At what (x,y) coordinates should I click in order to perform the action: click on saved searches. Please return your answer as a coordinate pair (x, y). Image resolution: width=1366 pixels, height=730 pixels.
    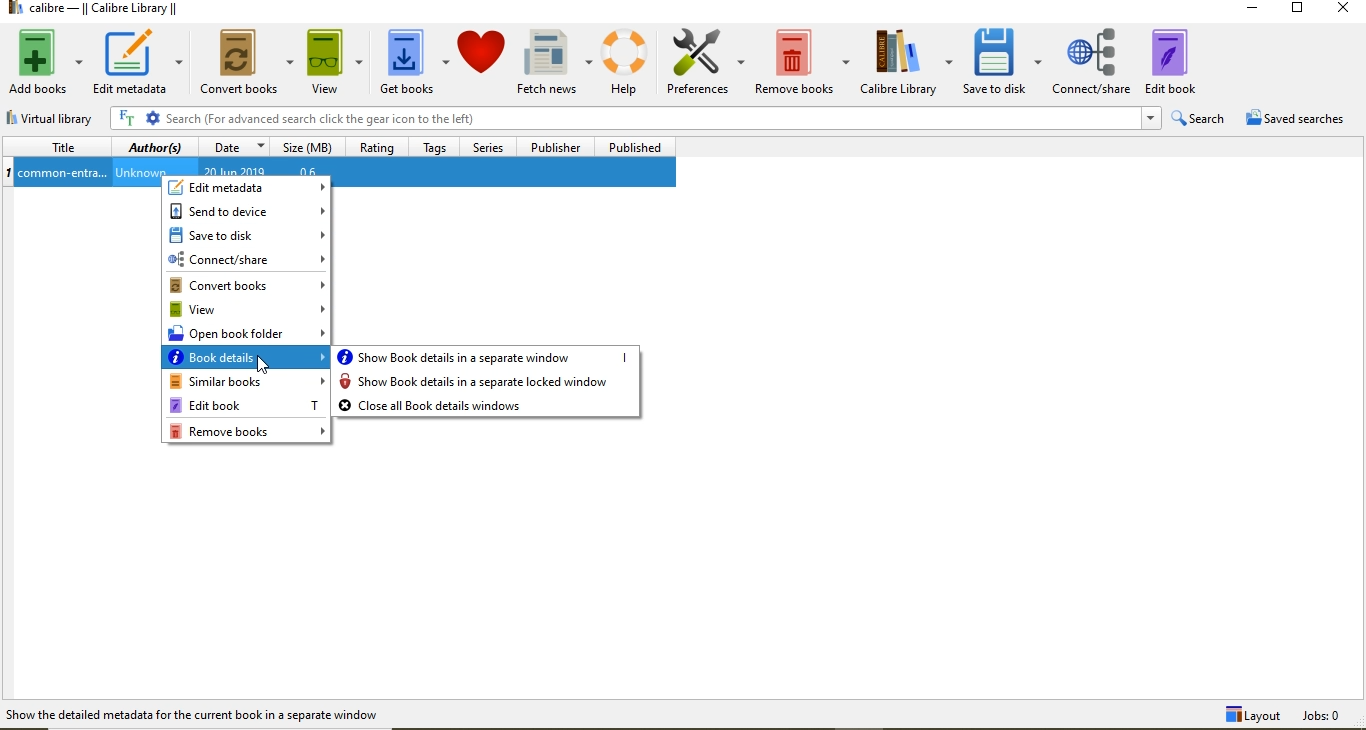
    Looking at the image, I should click on (1300, 118).